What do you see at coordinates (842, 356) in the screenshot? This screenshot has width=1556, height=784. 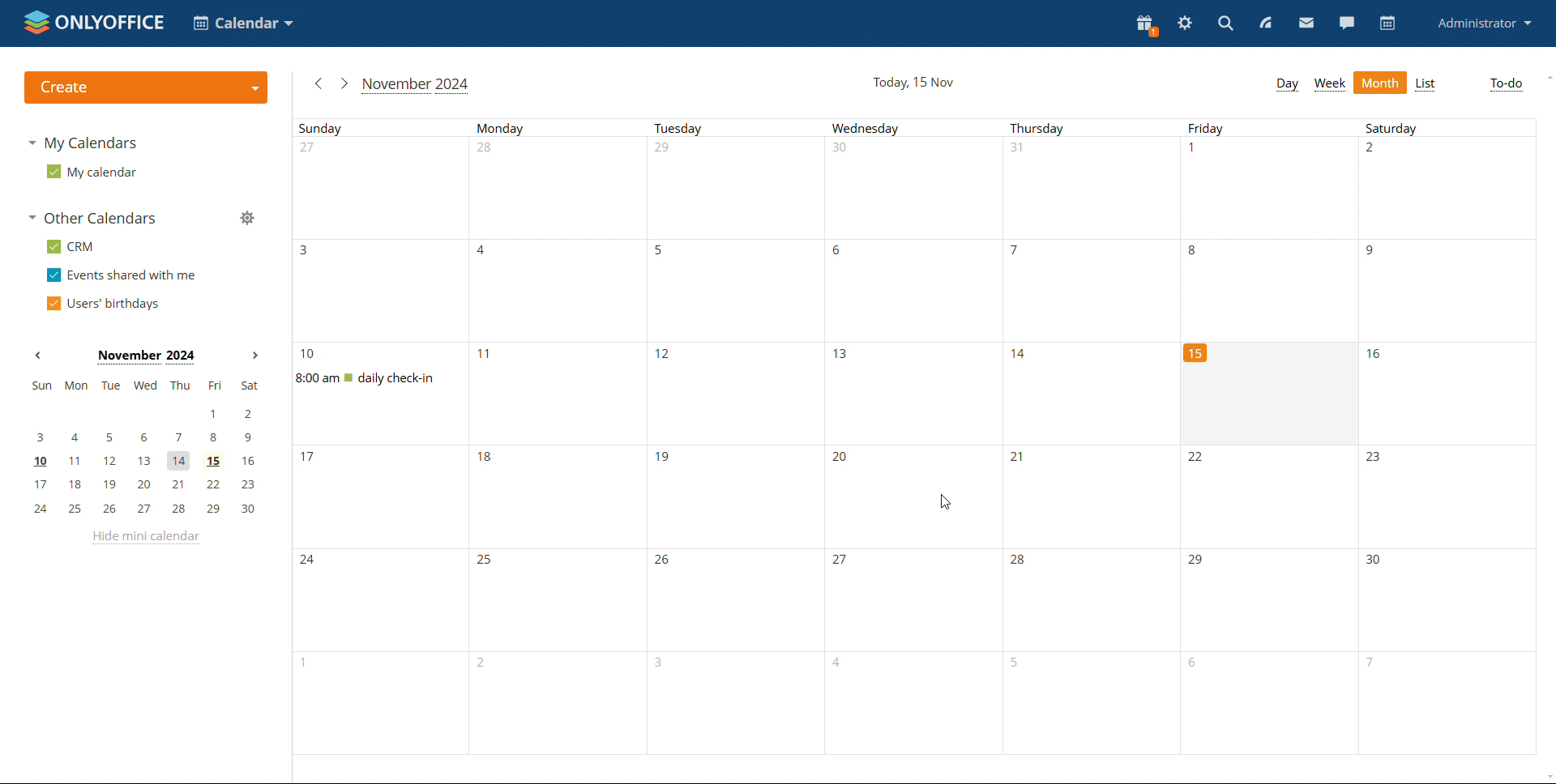 I see `Number` at bounding box center [842, 356].